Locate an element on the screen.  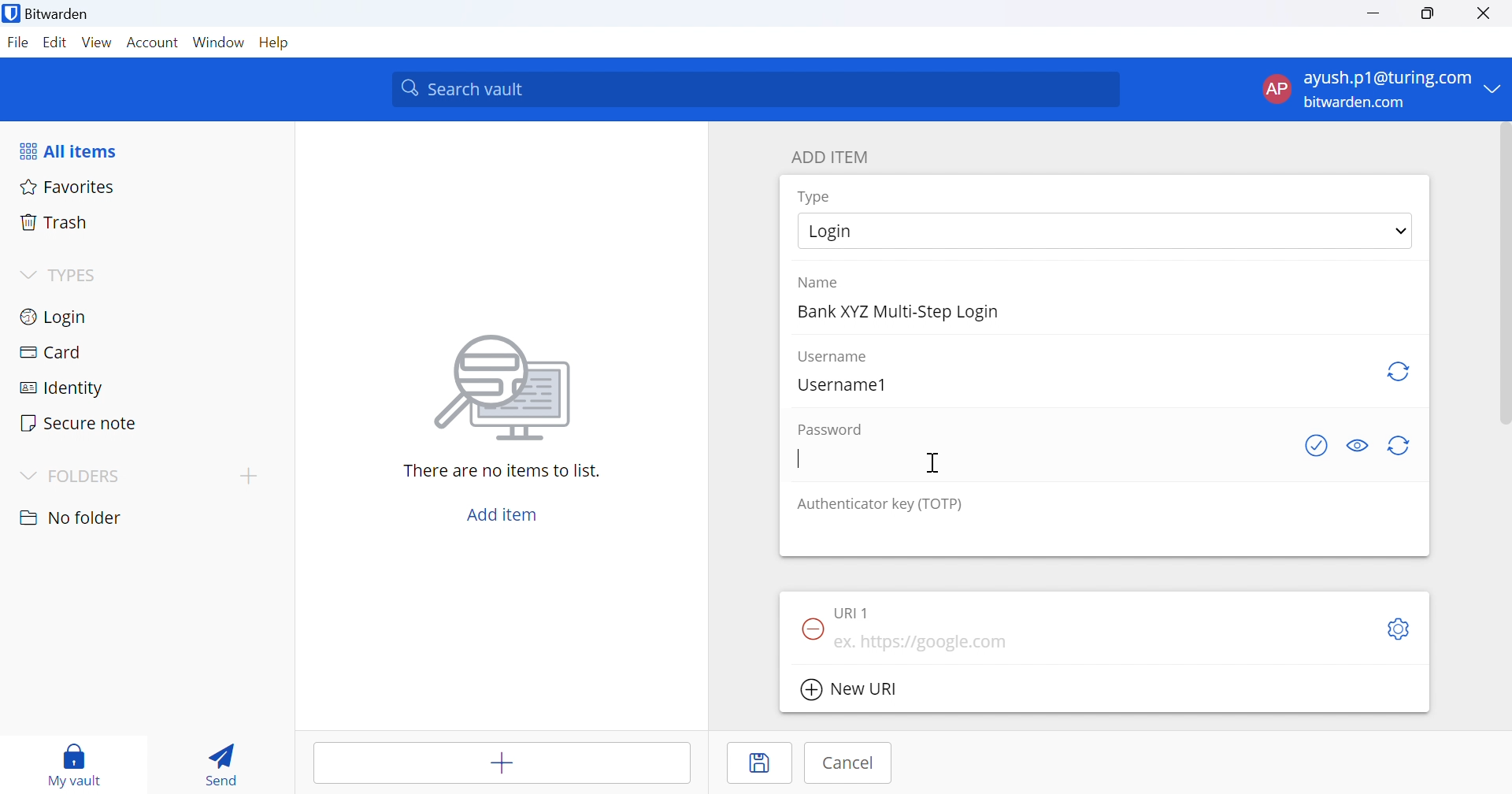
File is located at coordinates (17, 43).